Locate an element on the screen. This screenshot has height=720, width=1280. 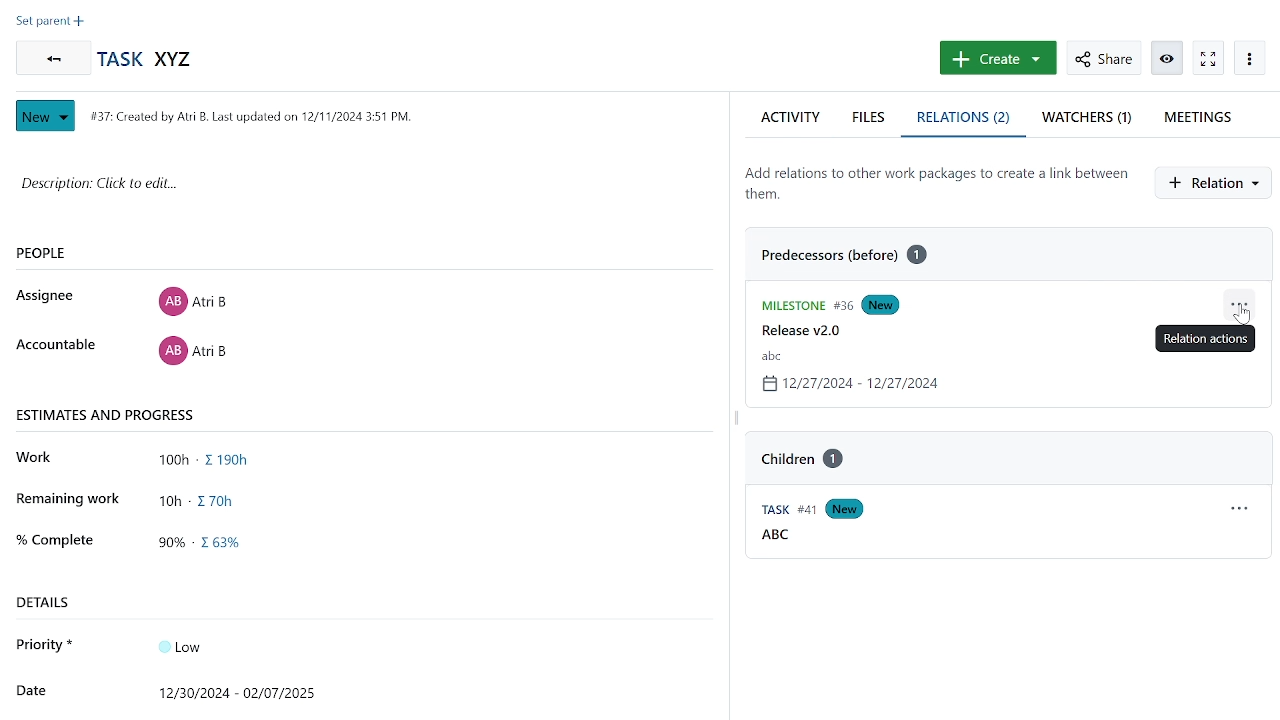
completed work in progress is located at coordinates (209, 545).